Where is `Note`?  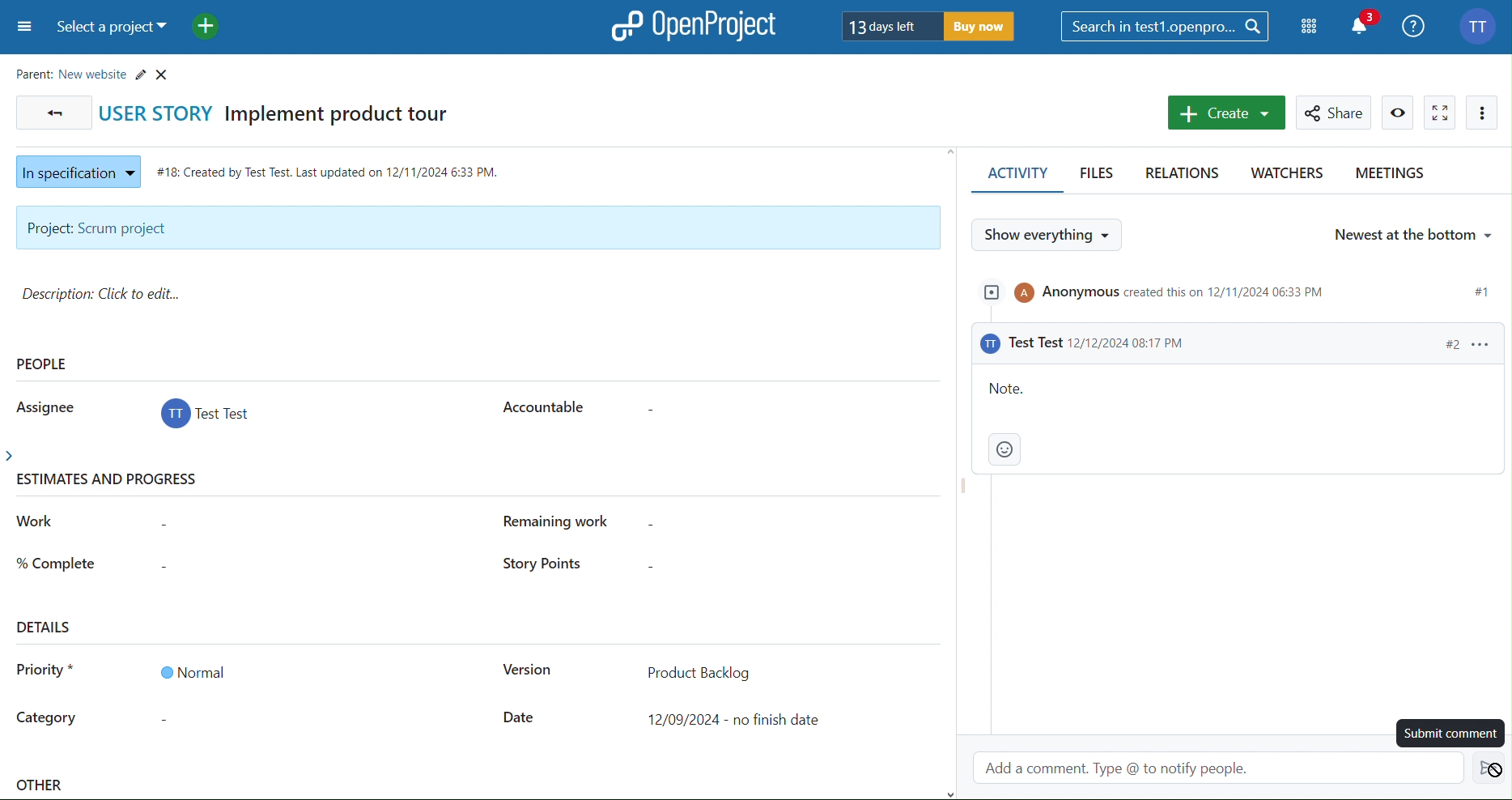 Note is located at coordinates (1236, 419).